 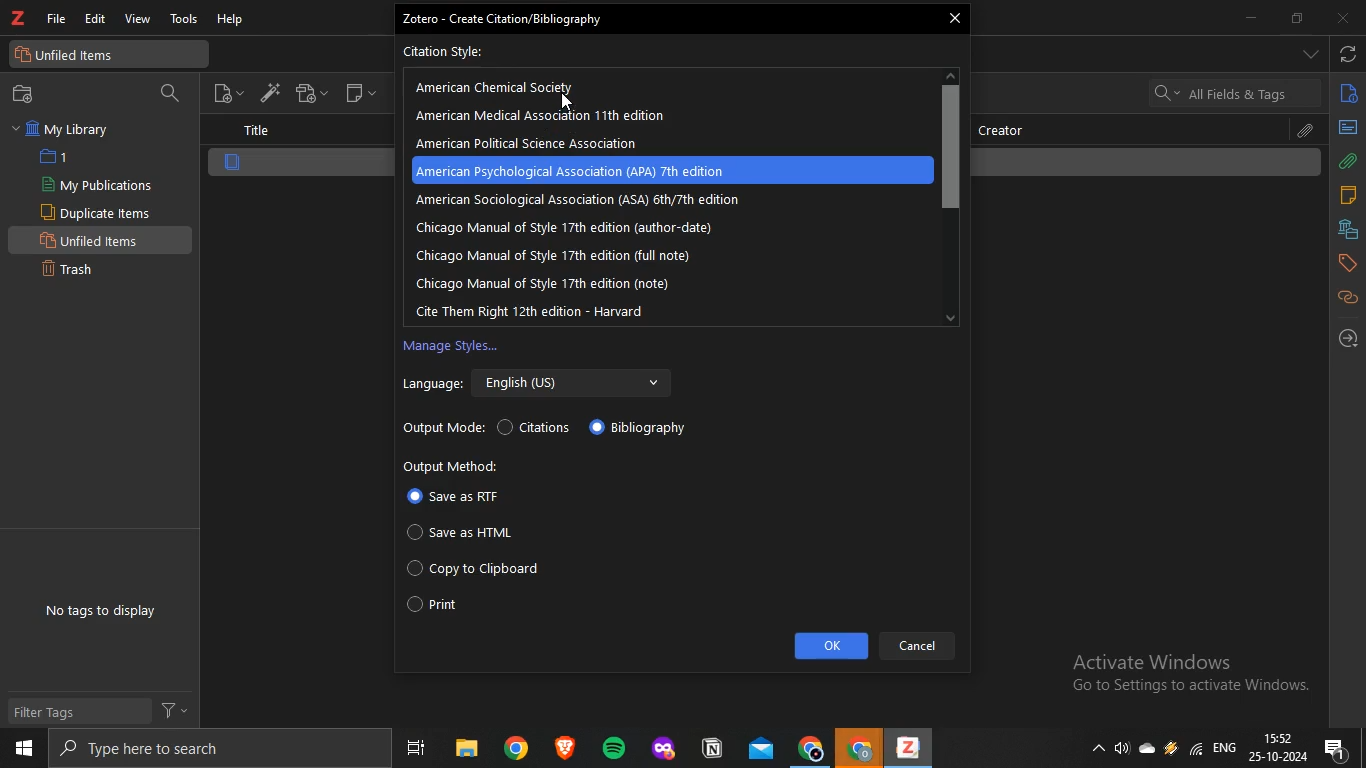 I want to click on search, so click(x=210, y=748).